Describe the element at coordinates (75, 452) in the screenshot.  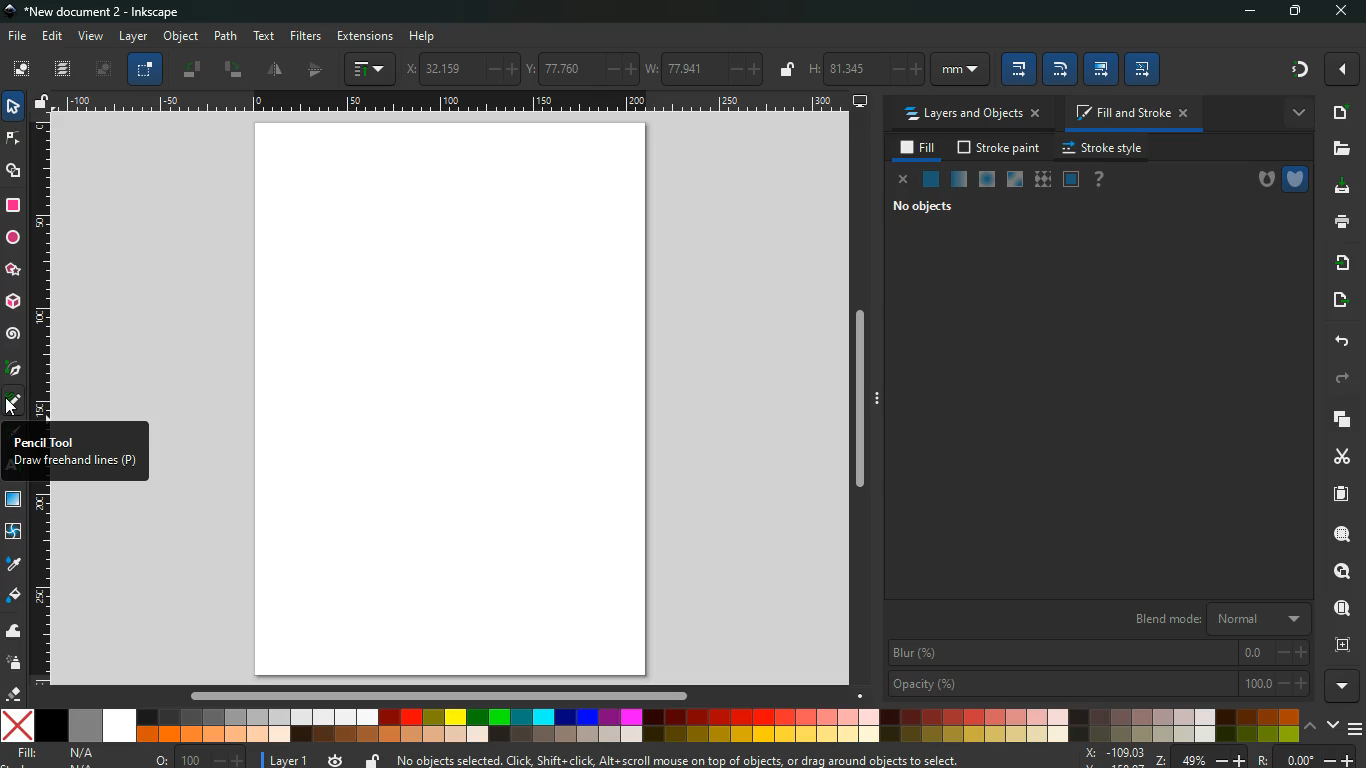
I see `description` at that location.